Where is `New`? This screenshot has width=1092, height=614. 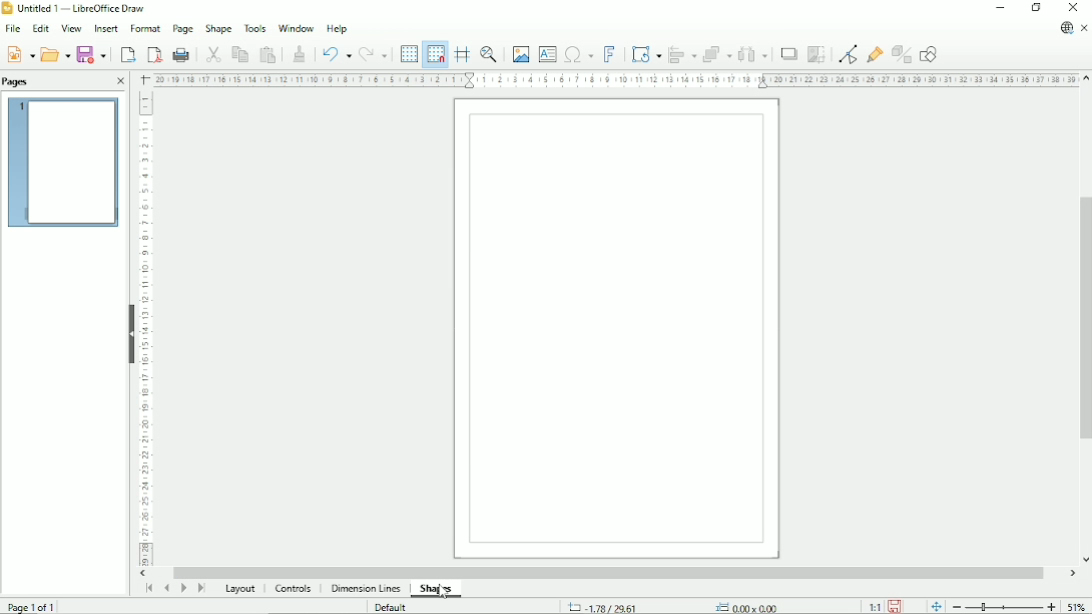
New is located at coordinates (22, 54).